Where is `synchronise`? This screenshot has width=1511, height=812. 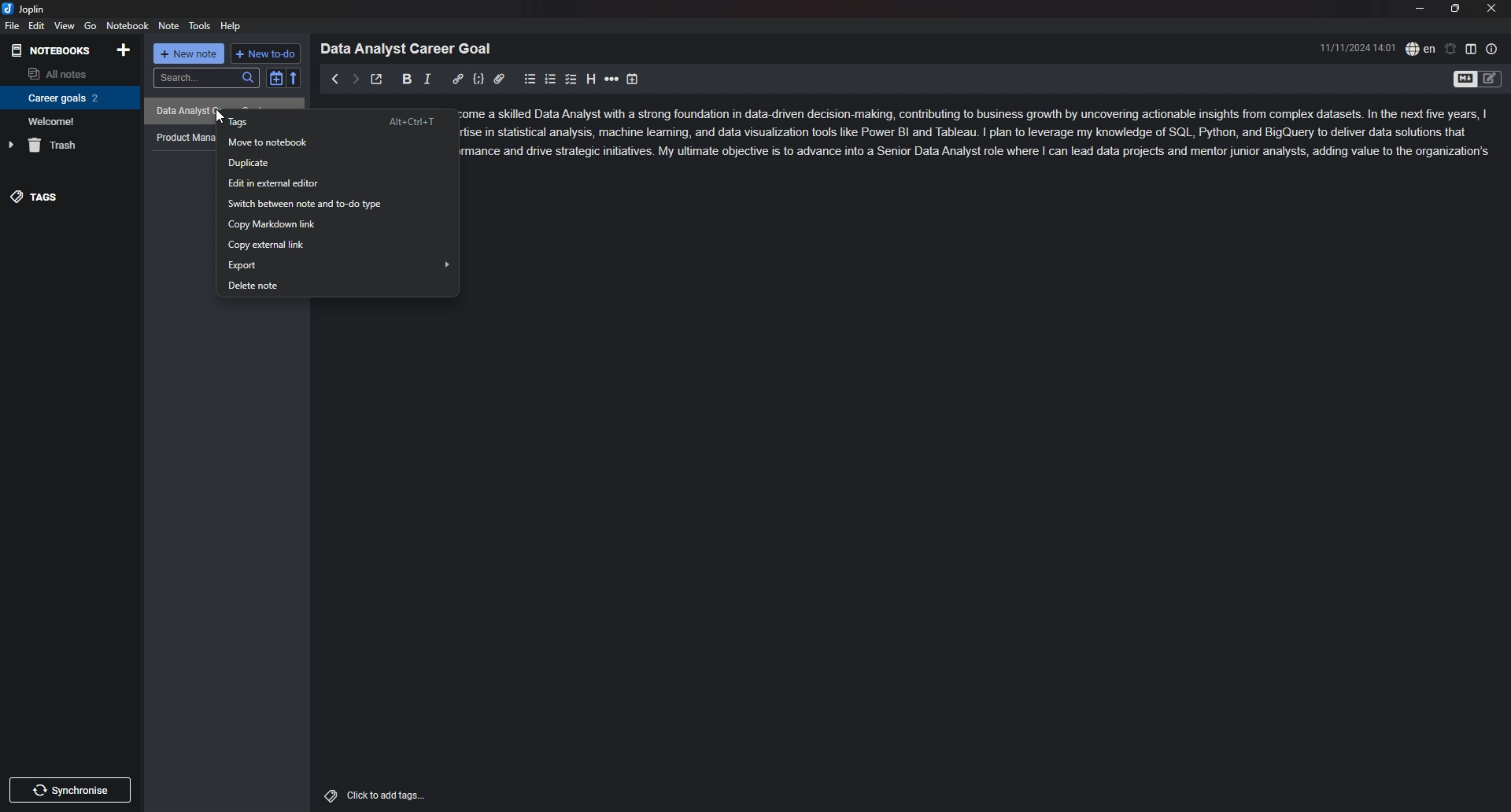 synchronise is located at coordinates (75, 791).